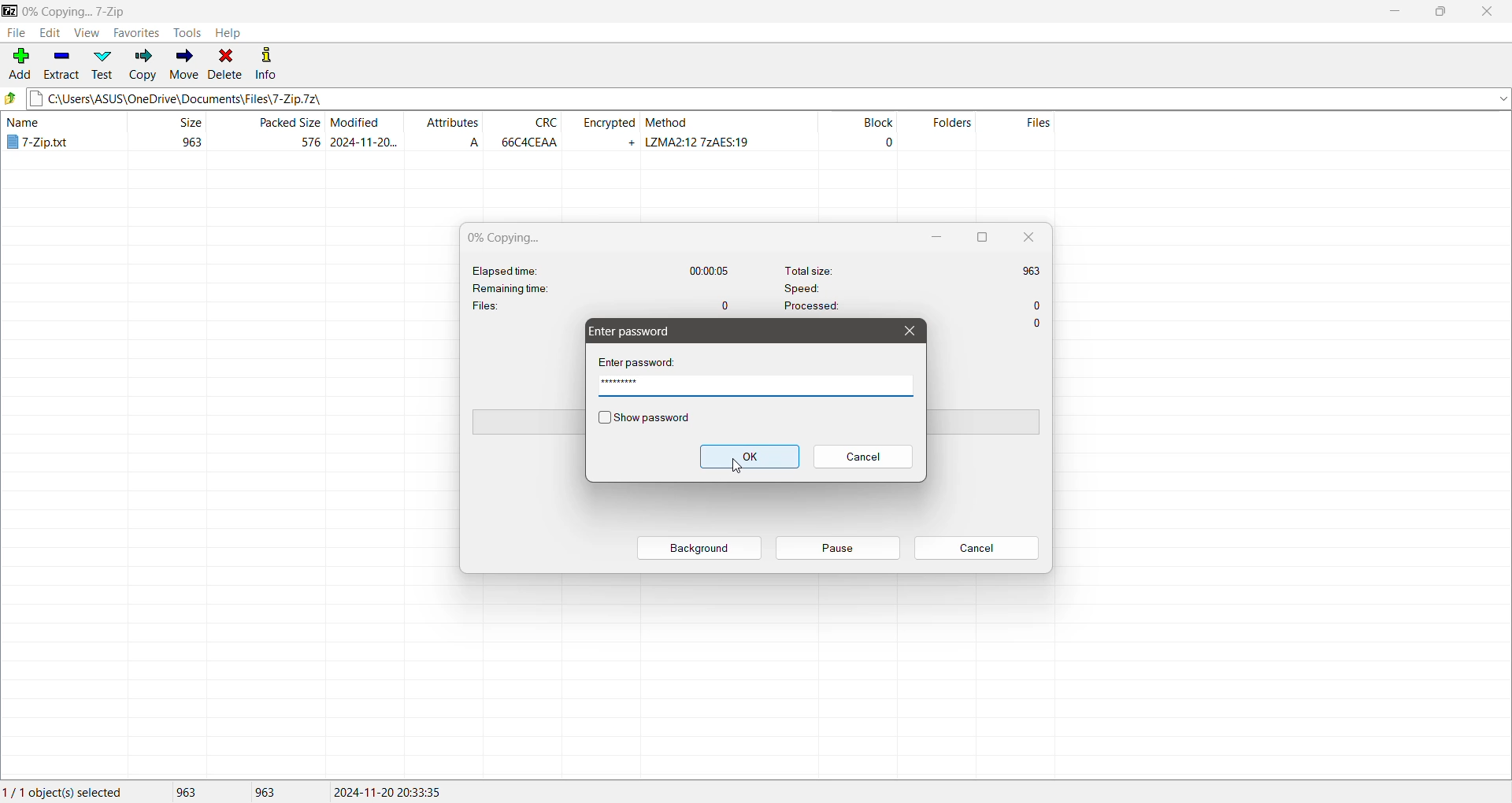  I want to click on Attributes, so click(450, 132).